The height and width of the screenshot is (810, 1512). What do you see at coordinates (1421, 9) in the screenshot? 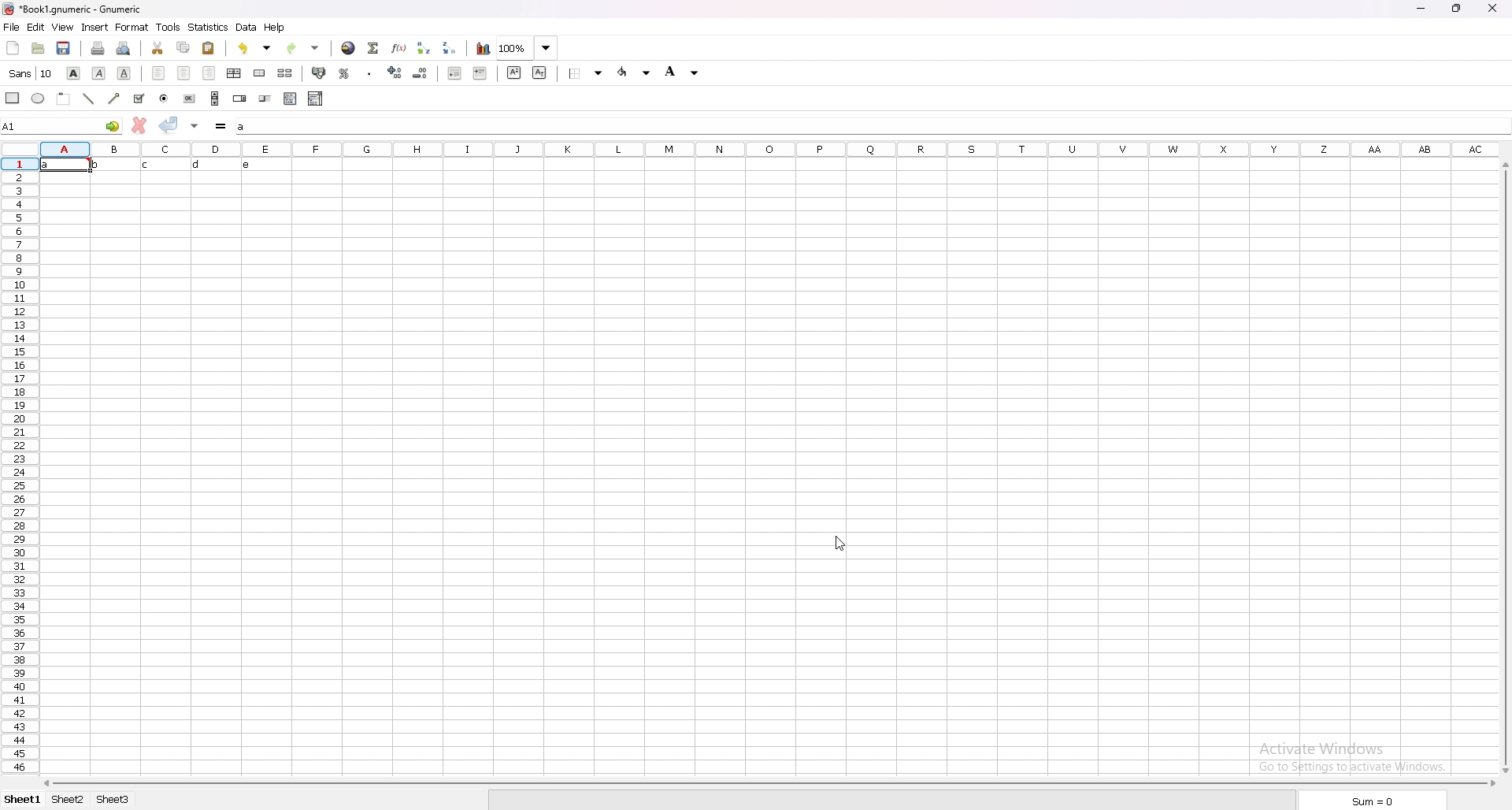
I see `minimize` at bounding box center [1421, 9].